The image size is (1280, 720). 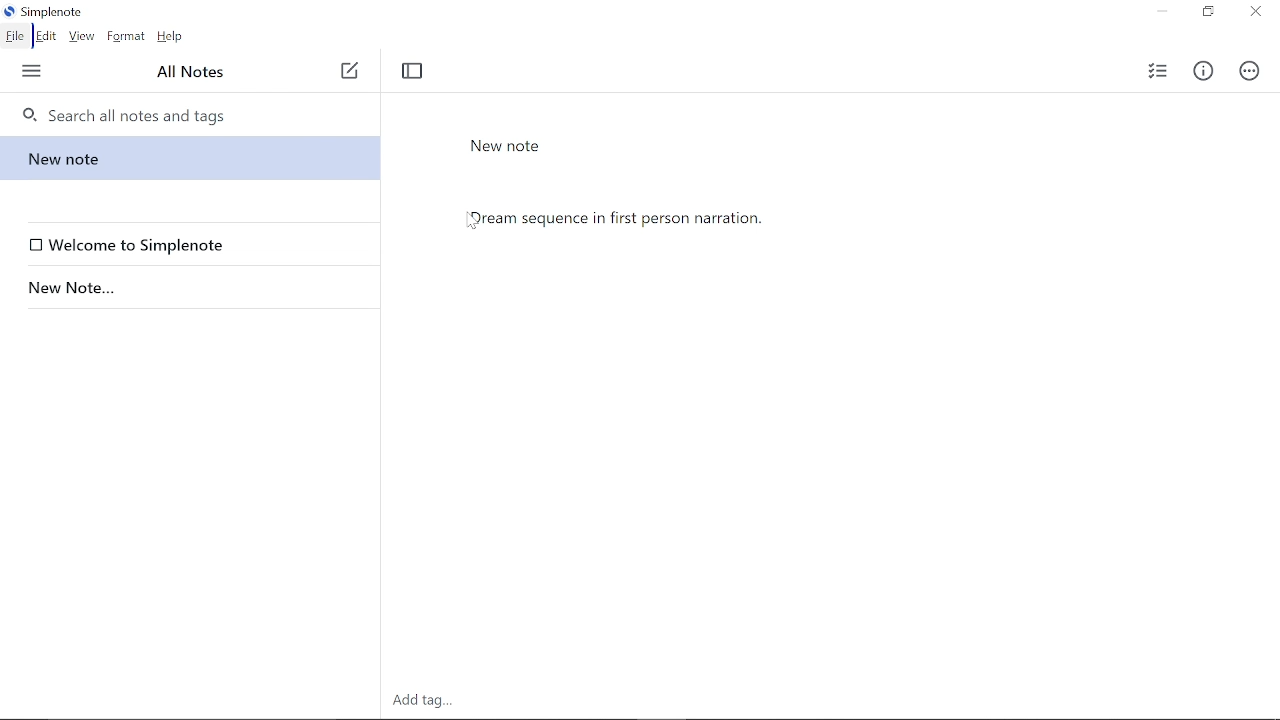 I want to click on View, so click(x=82, y=36).